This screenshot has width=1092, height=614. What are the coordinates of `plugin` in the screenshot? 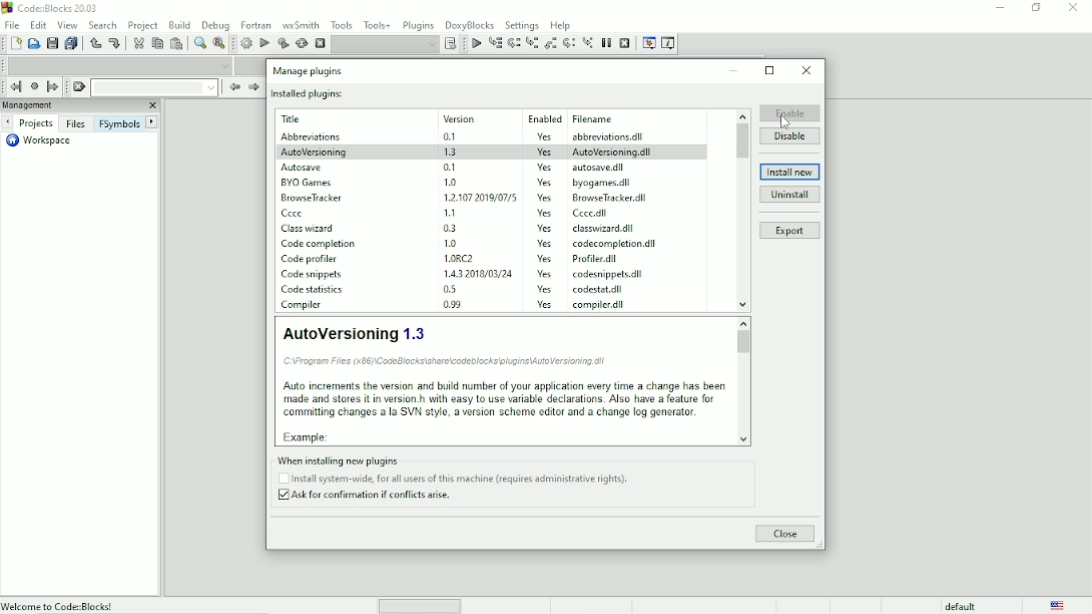 It's located at (295, 212).